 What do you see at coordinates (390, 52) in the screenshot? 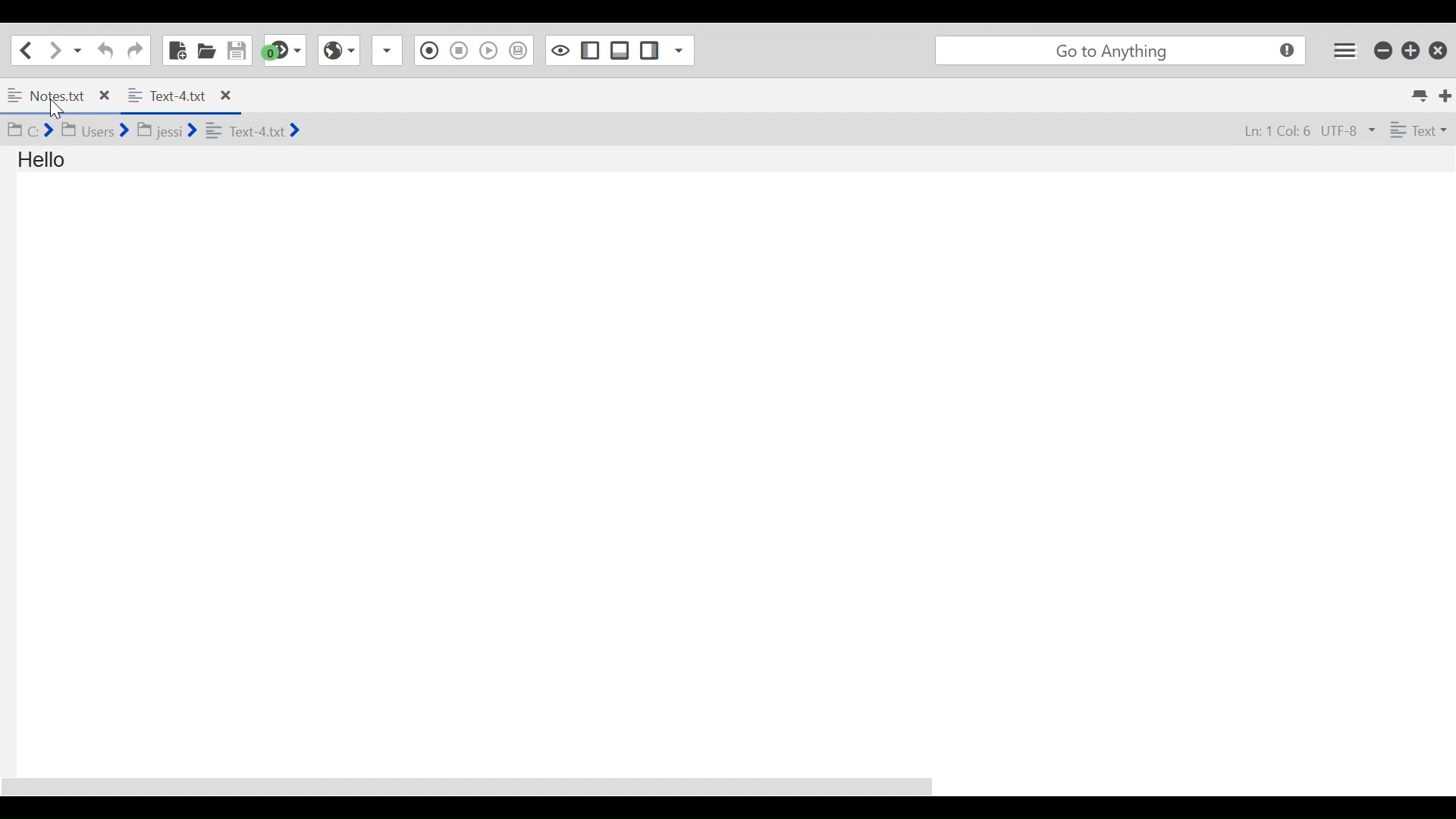
I see `share current file` at bounding box center [390, 52].